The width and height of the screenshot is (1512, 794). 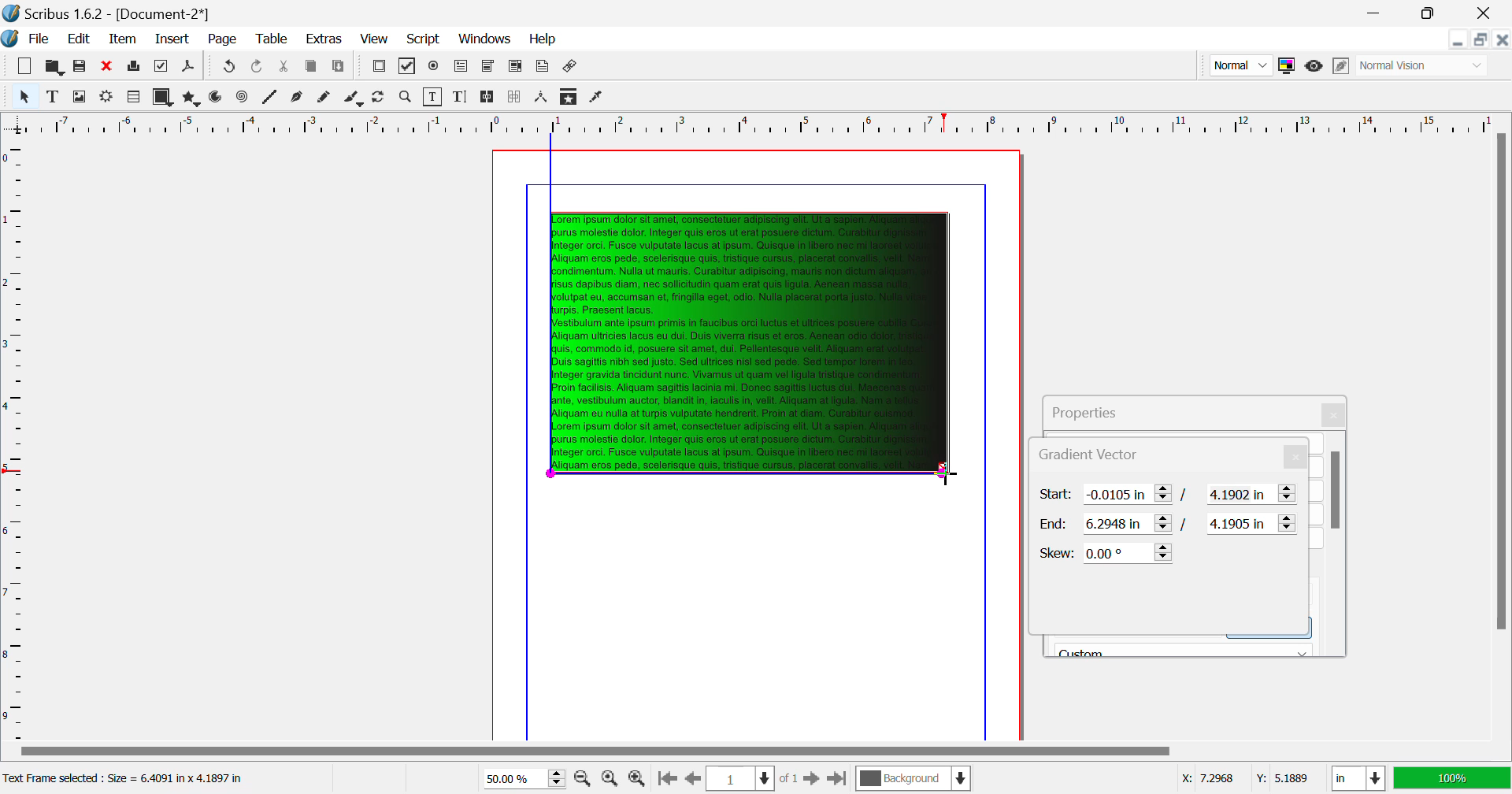 What do you see at coordinates (1298, 457) in the screenshot?
I see `Close` at bounding box center [1298, 457].